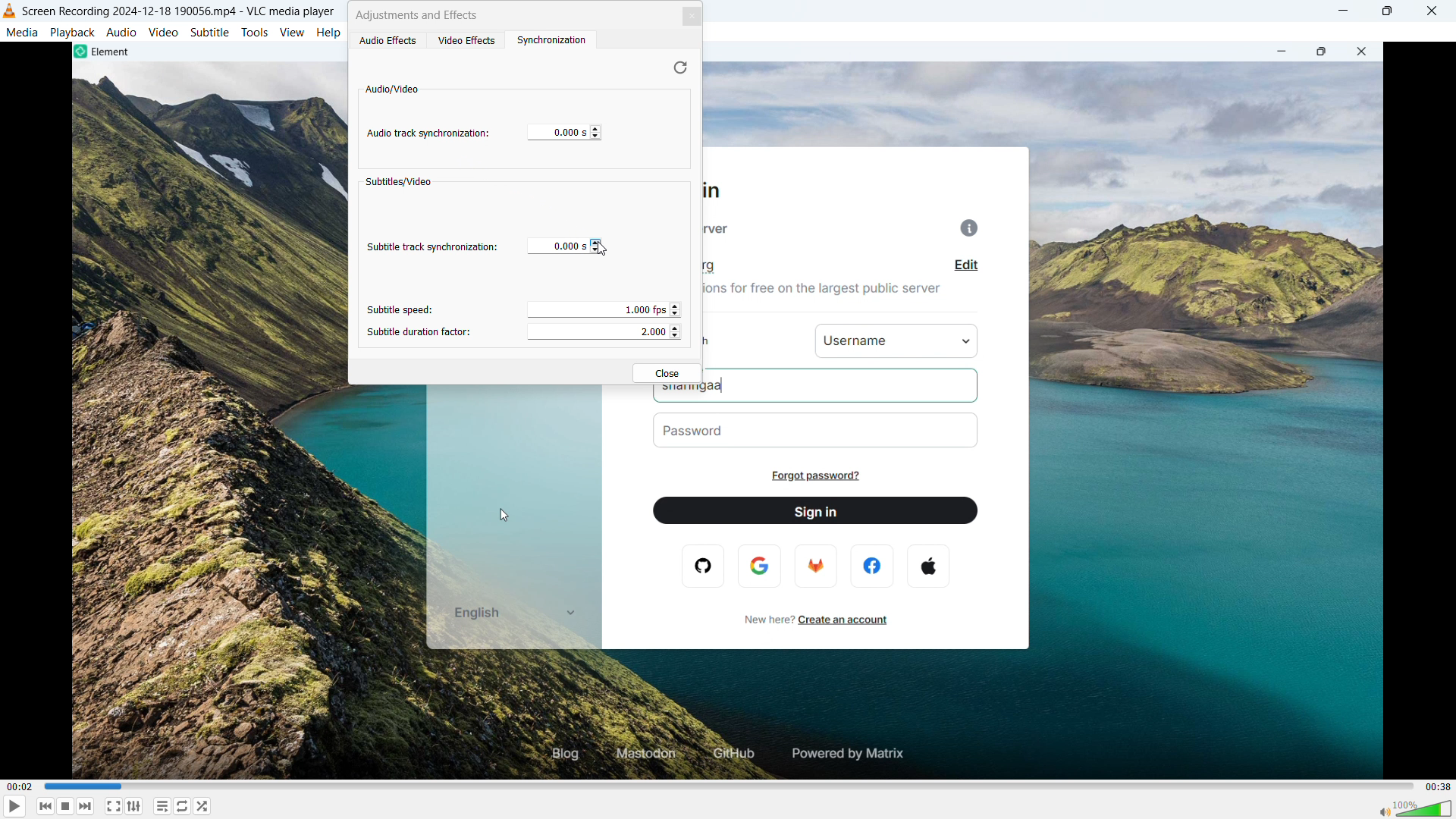 Image resolution: width=1456 pixels, height=819 pixels. Describe the element at coordinates (1341, 10) in the screenshot. I see `minimize` at that location.